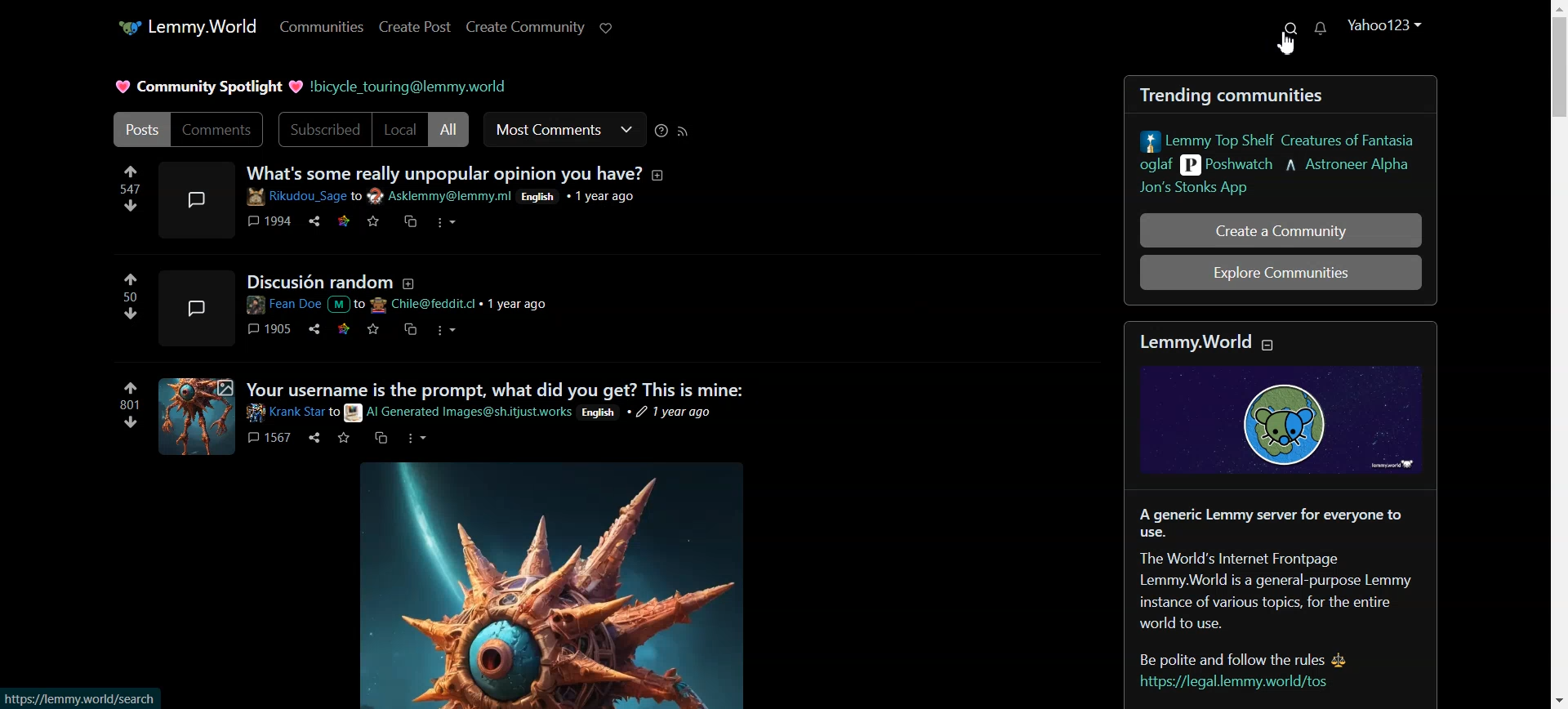 The width and height of the screenshot is (1568, 709). What do you see at coordinates (1281, 230) in the screenshot?
I see `Create a Community` at bounding box center [1281, 230].